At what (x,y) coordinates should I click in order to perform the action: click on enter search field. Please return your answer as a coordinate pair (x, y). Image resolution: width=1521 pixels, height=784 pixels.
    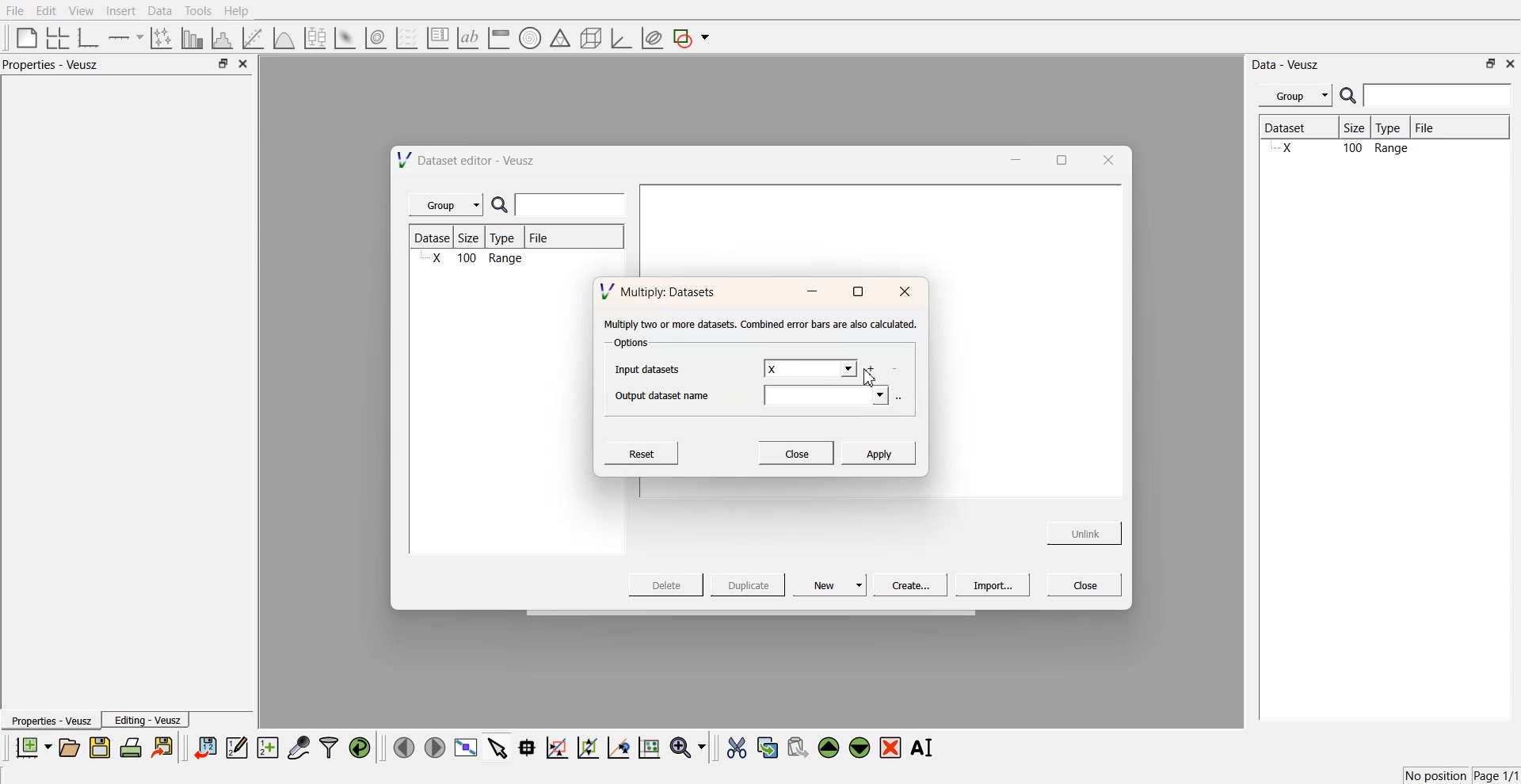
    Looking at the image, I should click on (573, 205).